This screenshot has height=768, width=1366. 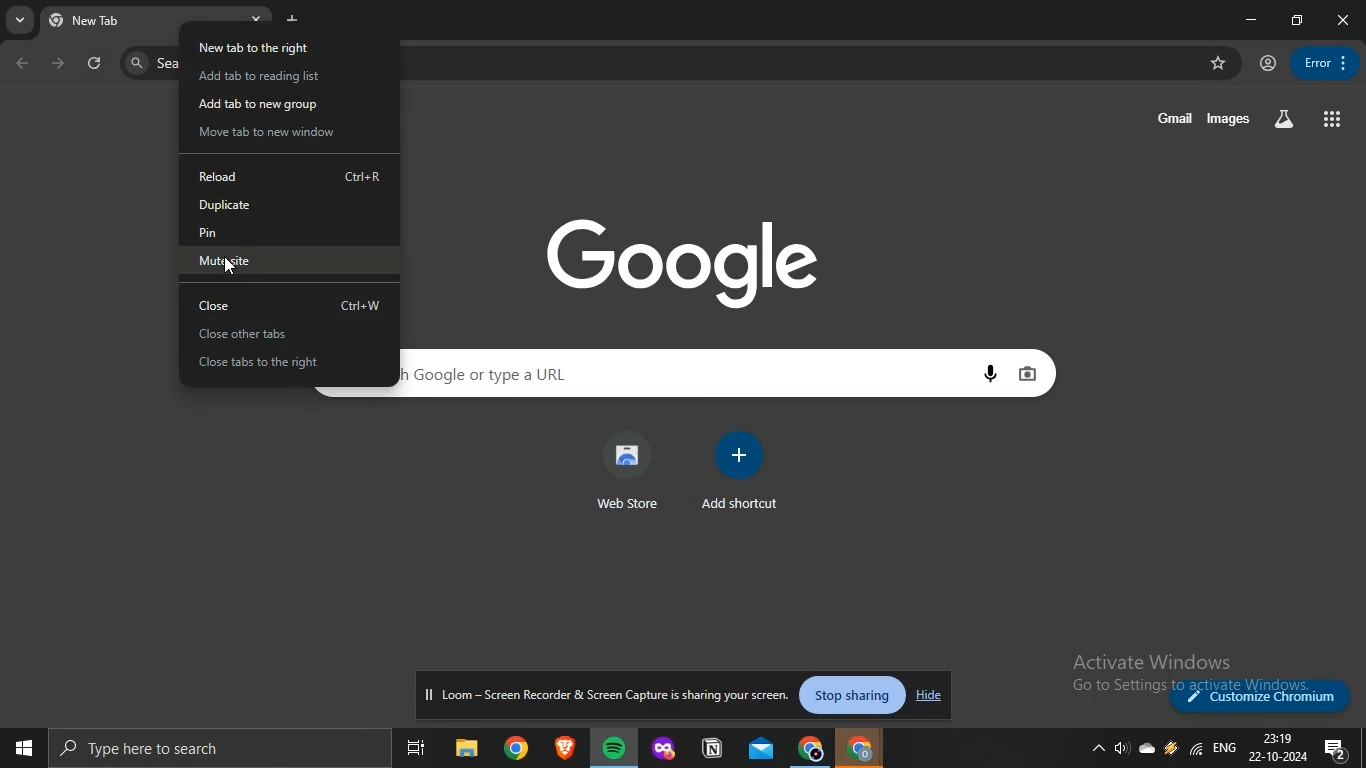 I want to click on move tab to new window, so click(x=275, y=134).